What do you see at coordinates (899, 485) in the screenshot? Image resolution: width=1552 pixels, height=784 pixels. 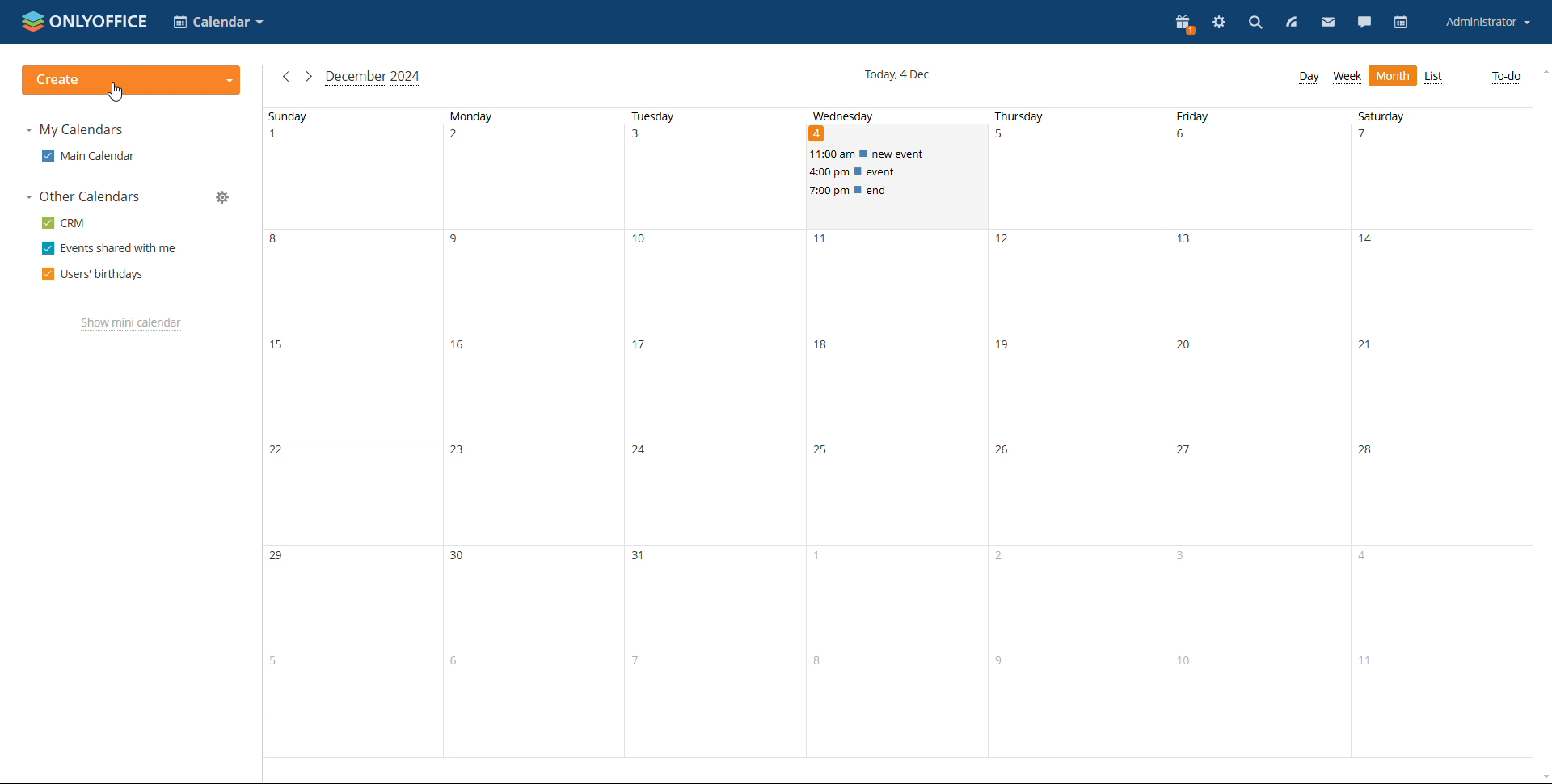 I see `wednesday` at bounding box center [899, 485].